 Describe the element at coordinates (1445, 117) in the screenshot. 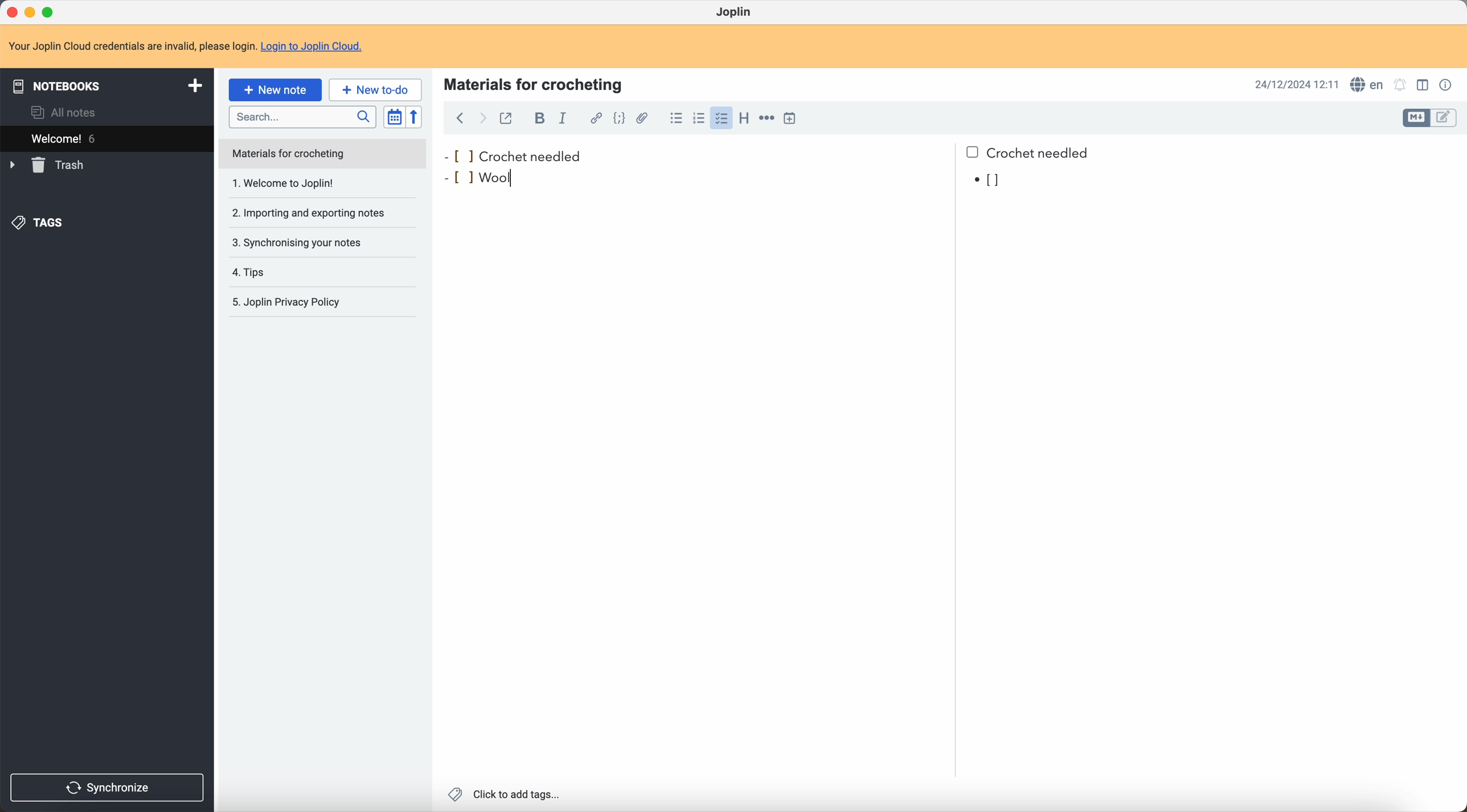

I see `toggle edit layout` at that location.